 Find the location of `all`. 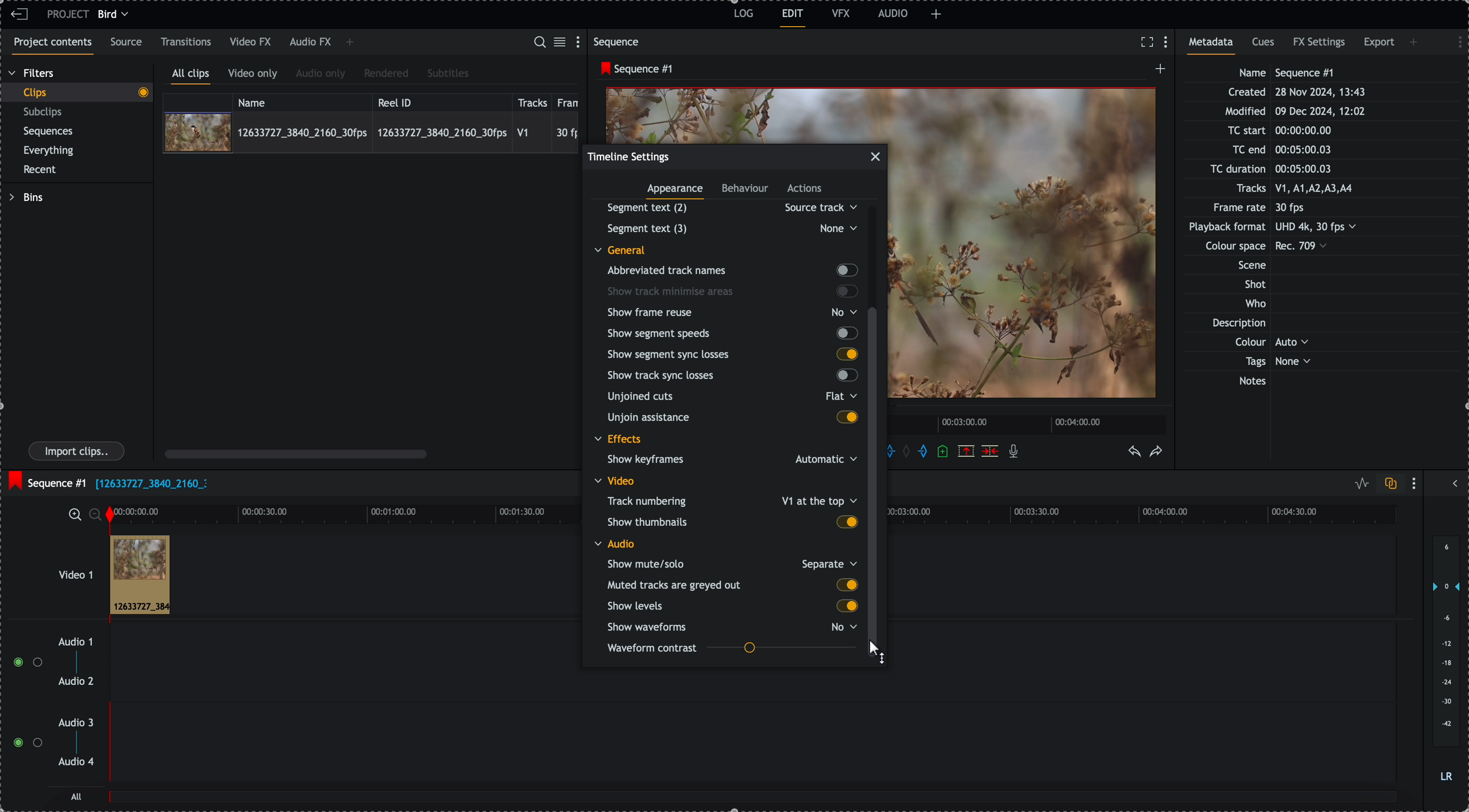

all is located at coordinates (77, 796).